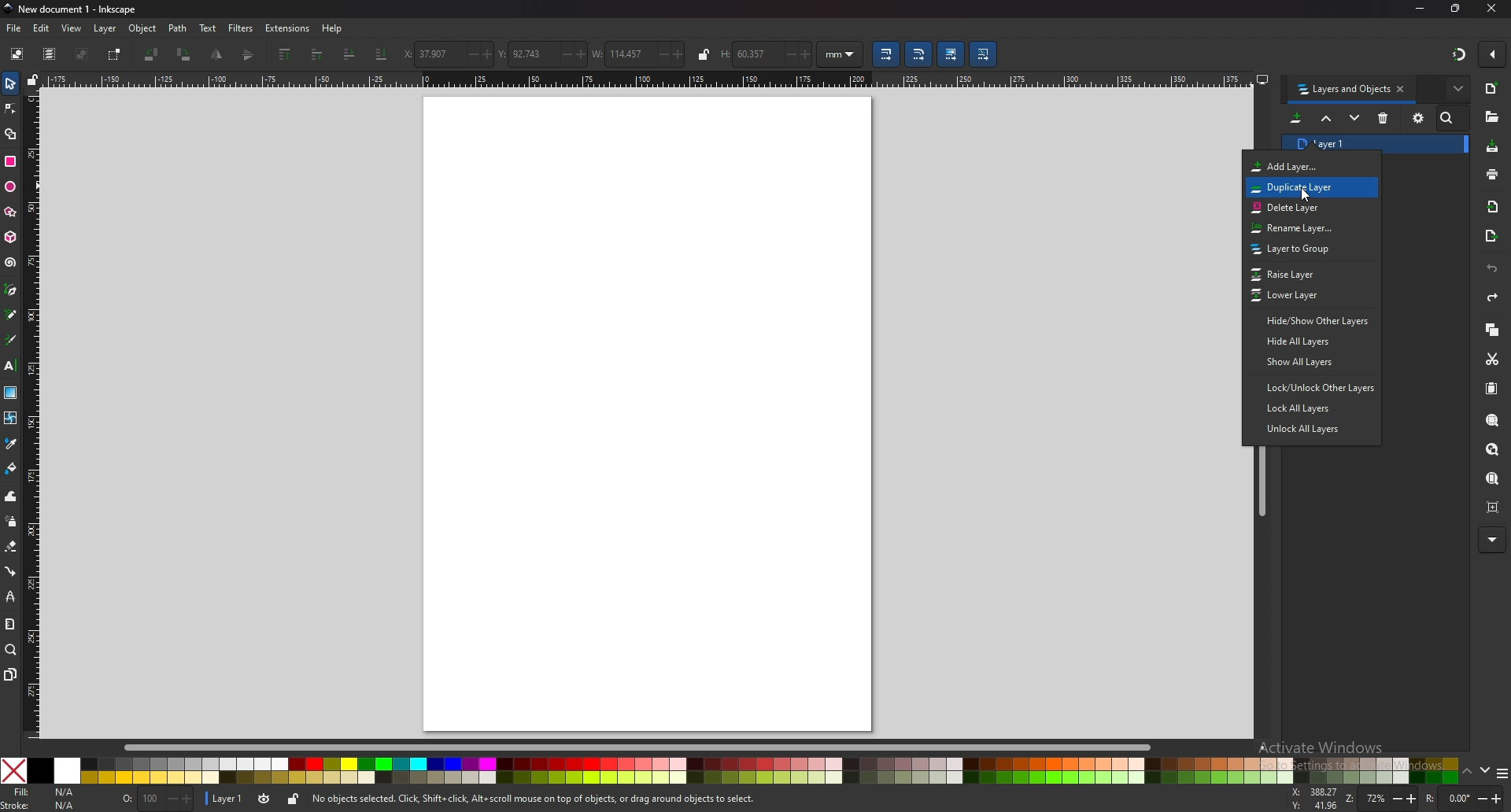  Describe the element at coordinates (984, 54) in the screenshot. I see `move patterns` at that location.